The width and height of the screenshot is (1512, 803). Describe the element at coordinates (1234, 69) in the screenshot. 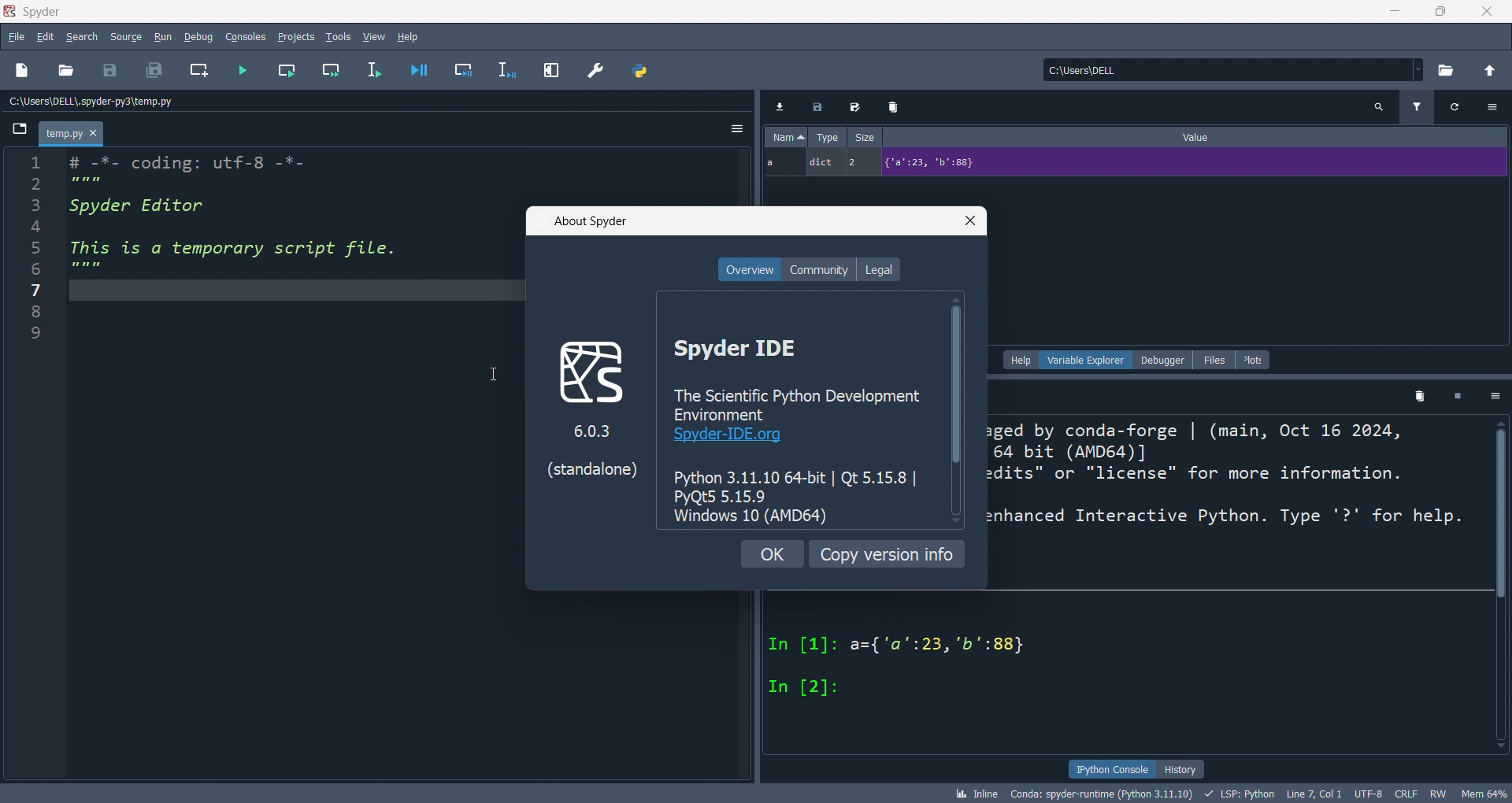

I see `current directory` at that location.